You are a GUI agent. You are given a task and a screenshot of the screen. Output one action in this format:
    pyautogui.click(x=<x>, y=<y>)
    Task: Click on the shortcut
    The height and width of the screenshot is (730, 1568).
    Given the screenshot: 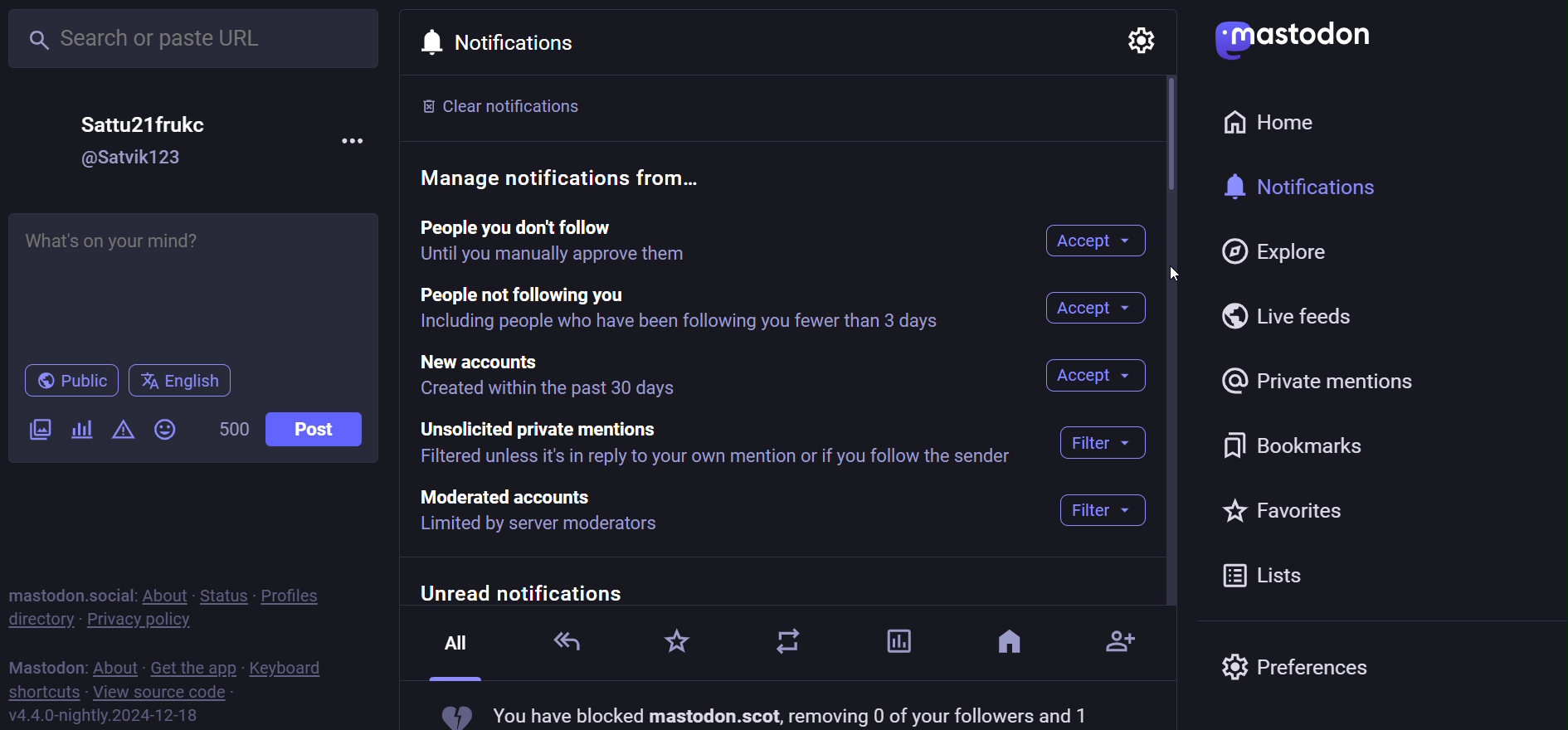 What is the action you would take?
    pyautogui.click(x=42, y=691)
    